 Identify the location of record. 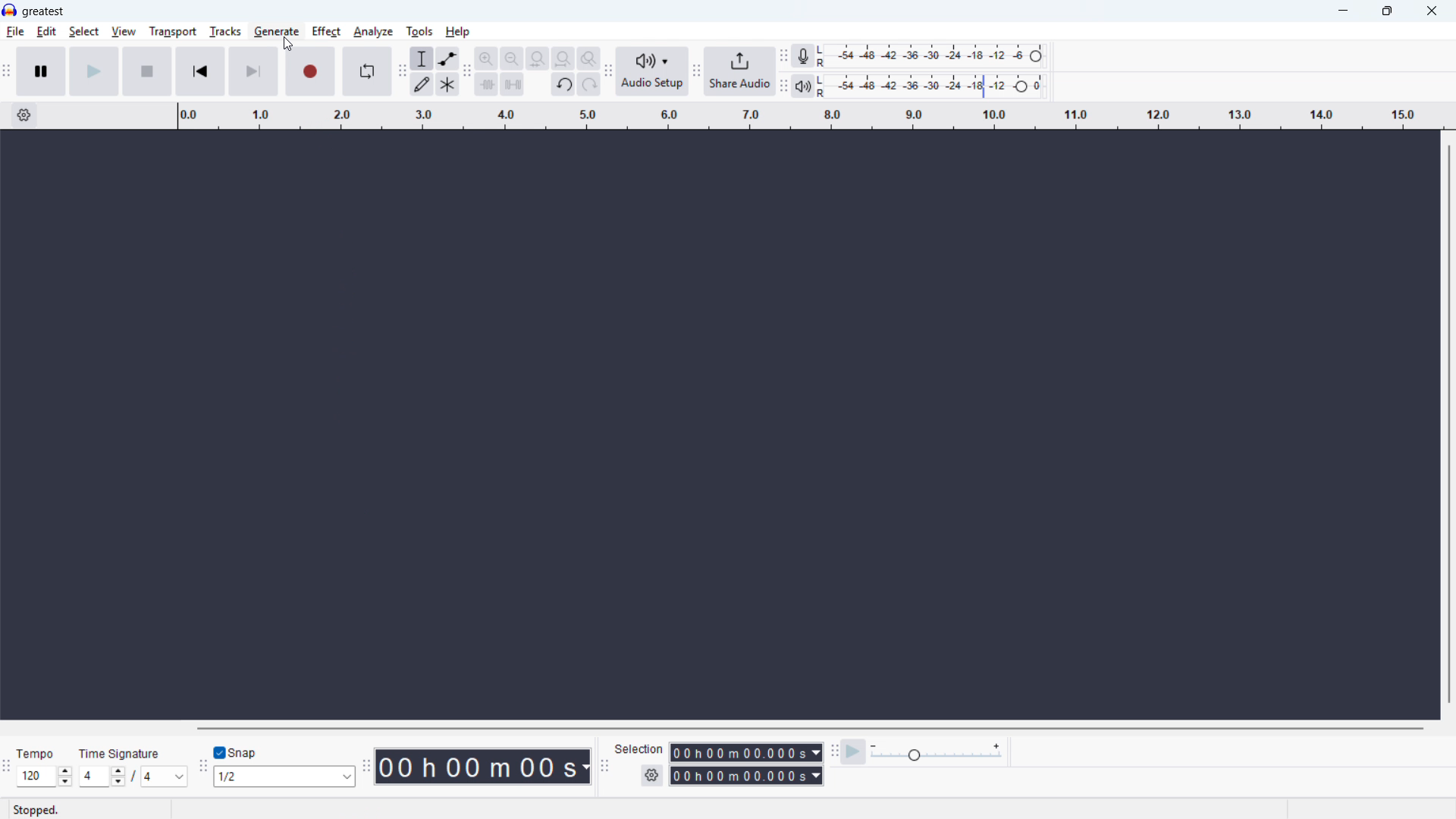
(310, 71).